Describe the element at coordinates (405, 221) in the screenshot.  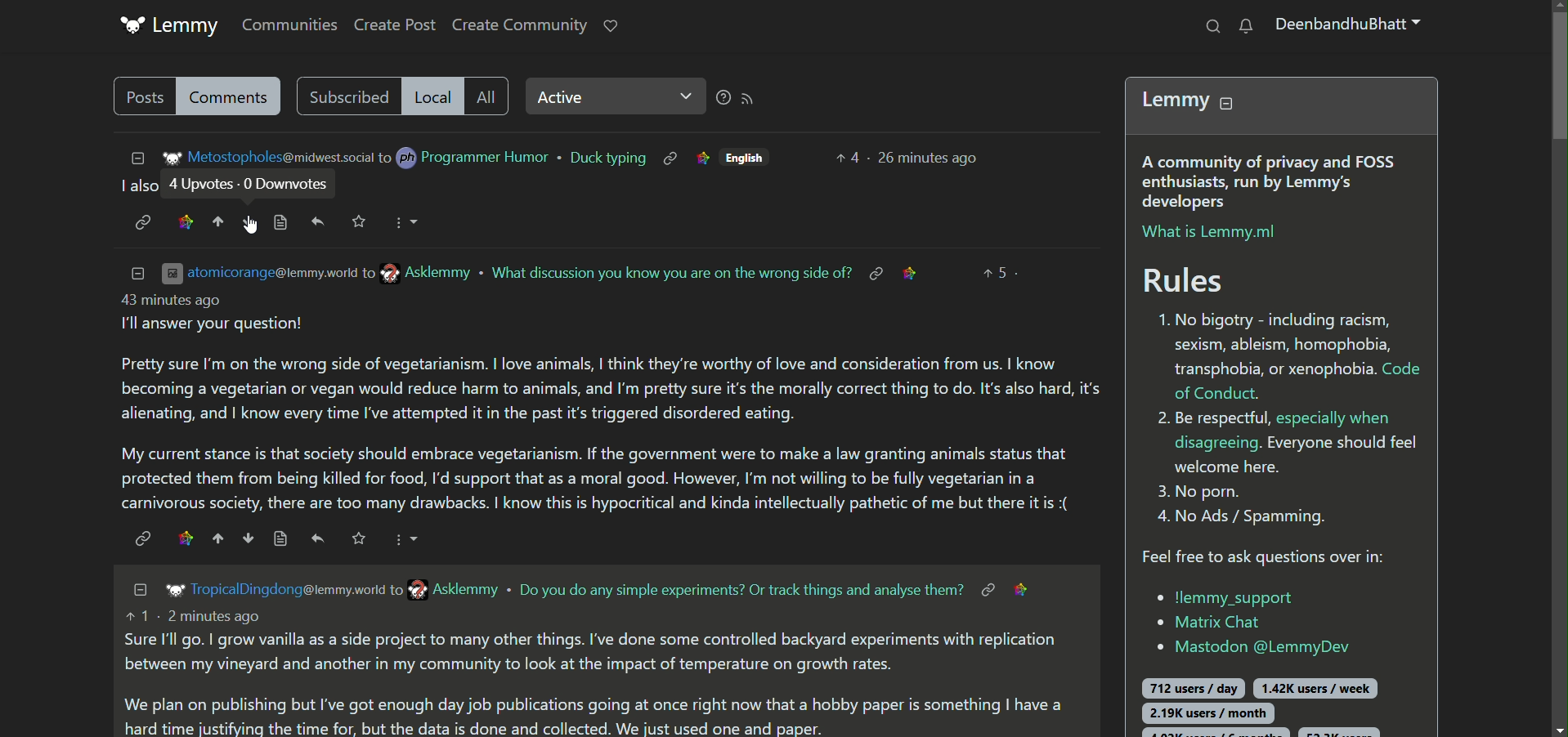
I see `dropdown` at that location.